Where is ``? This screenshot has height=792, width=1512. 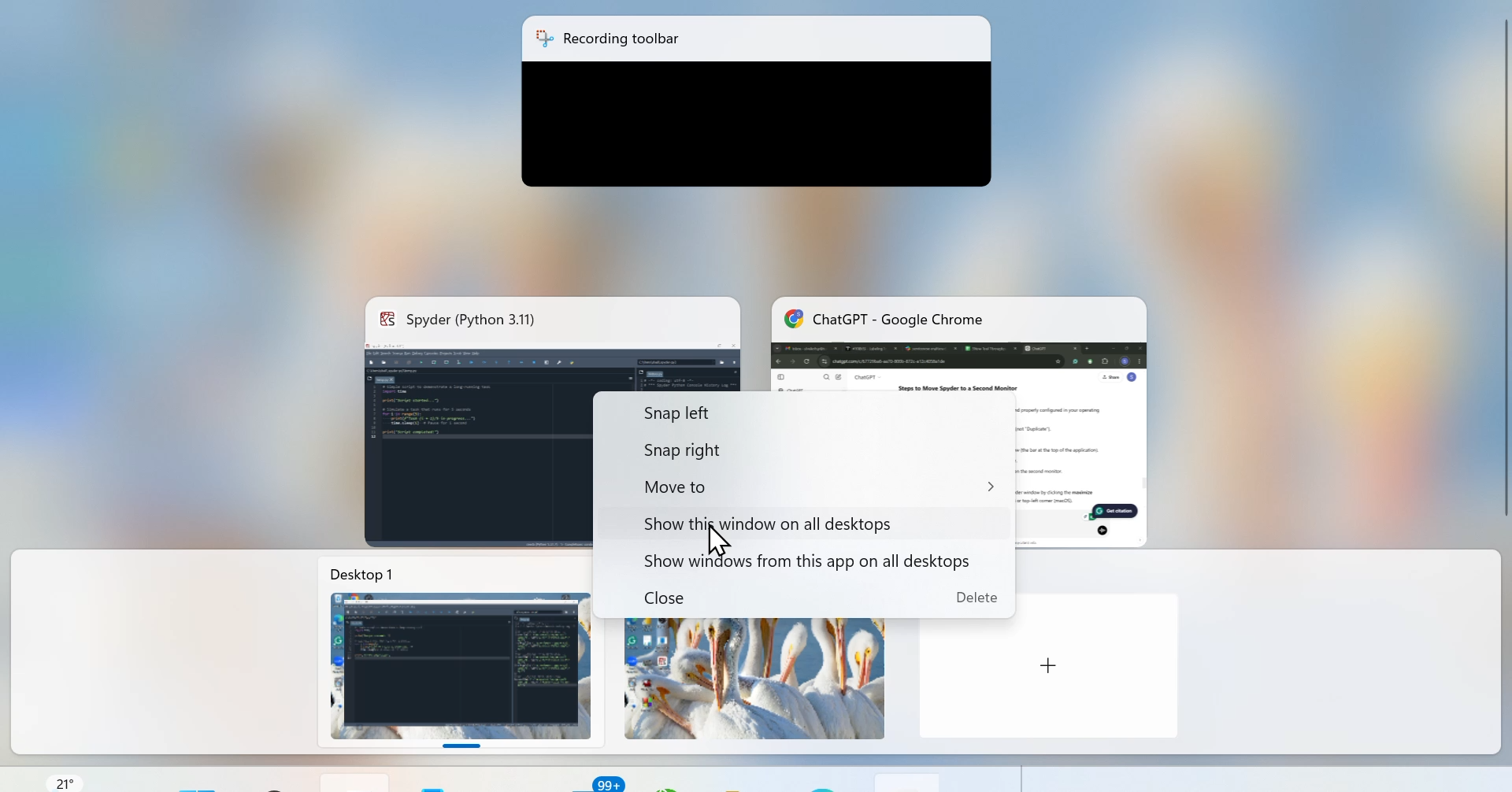  is located at coordinates (1050, 666).